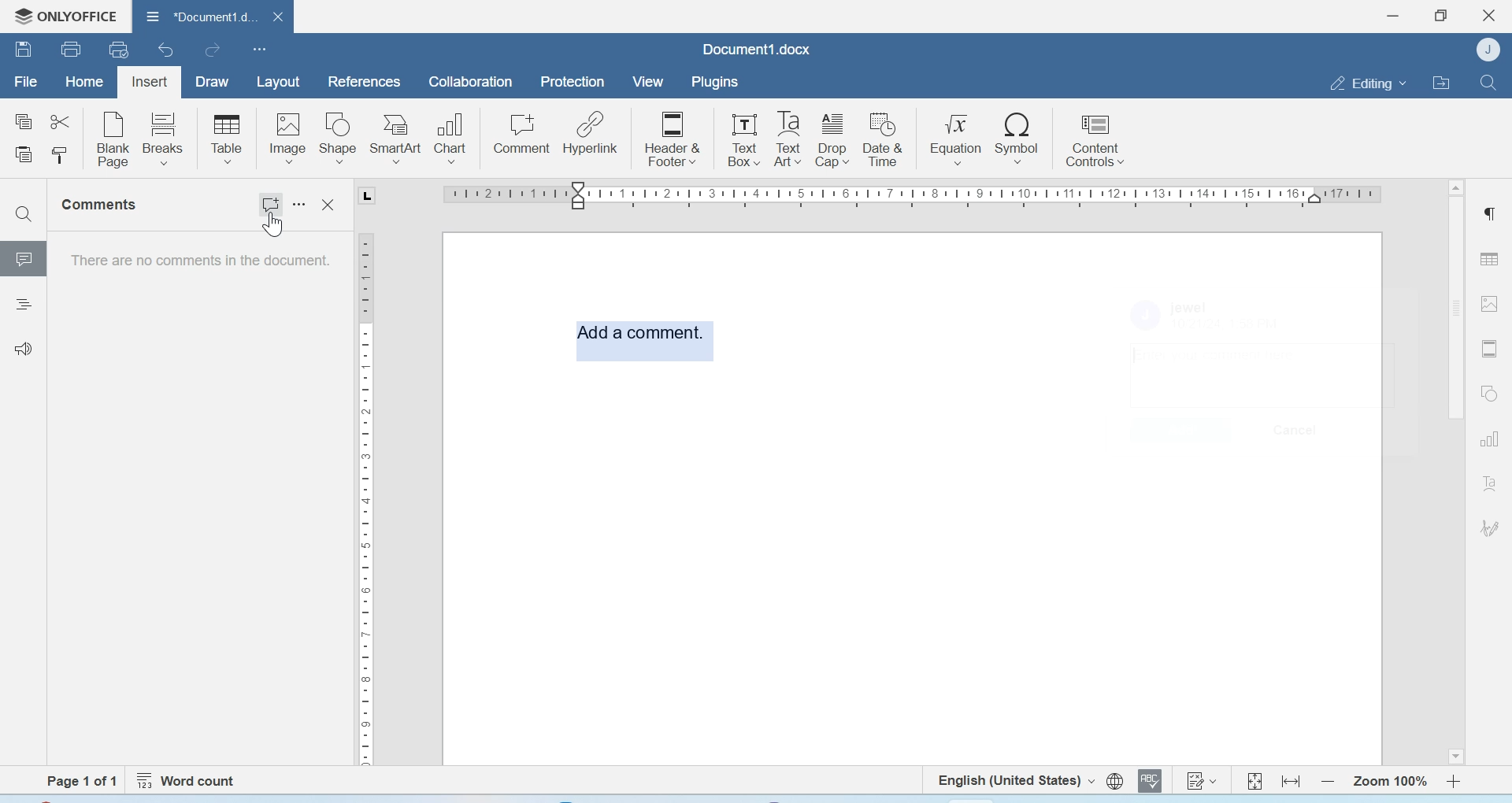  I want to click on View, so click(647, 83).